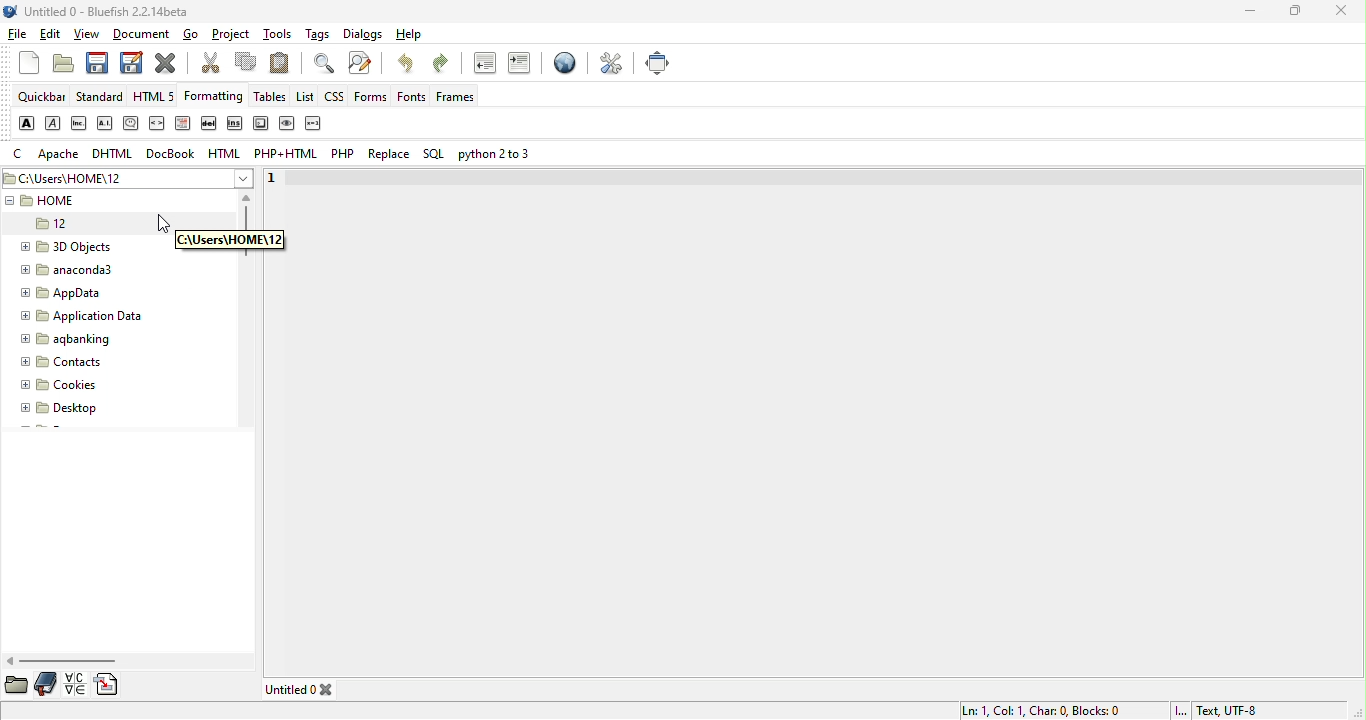 The width and height of the screenshot is (1366, 720). Describe the element at coordinates (52, 35) in the screenshot. I see `edit` at that location.